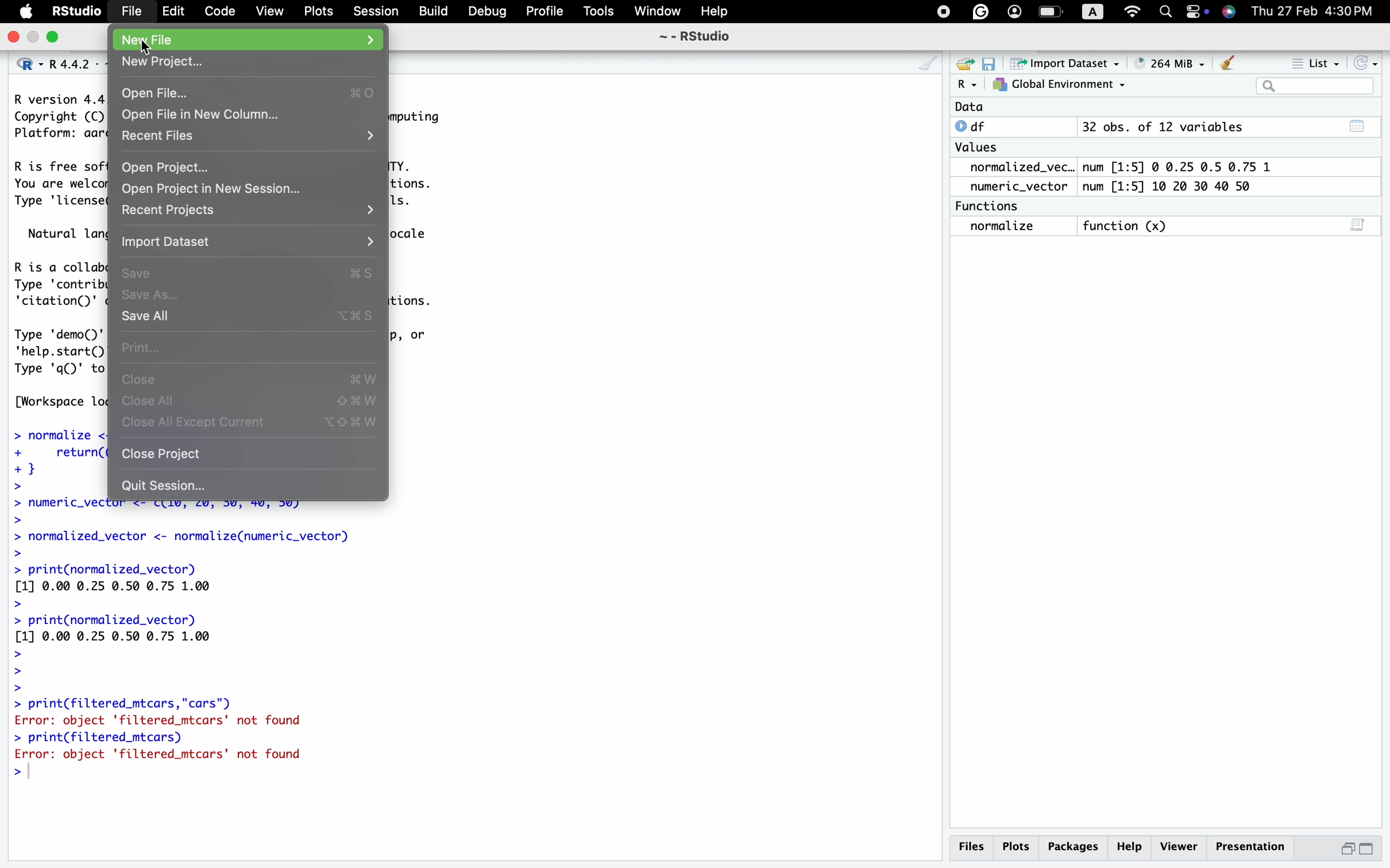 This screenshot has height=868, width=1390. What do you see at coordinates (251, 346) in the screenshot?
I see `print` at bounding box center [251, 346].